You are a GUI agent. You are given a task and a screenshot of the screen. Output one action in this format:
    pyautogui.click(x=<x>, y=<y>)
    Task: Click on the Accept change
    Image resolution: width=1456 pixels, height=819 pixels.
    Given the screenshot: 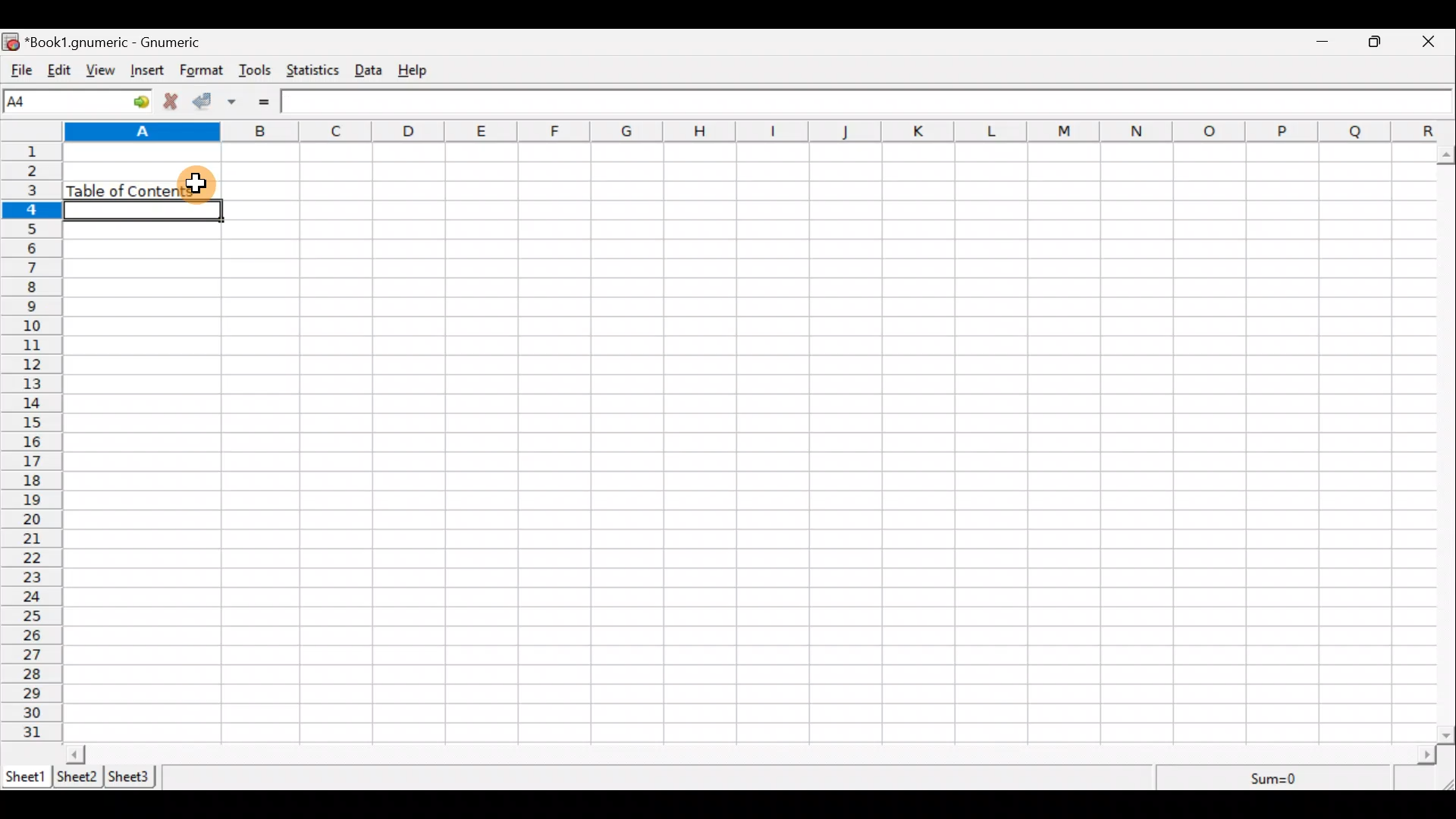 What is the action you would take?
    pyautogui.click(x=206, y=102)
    